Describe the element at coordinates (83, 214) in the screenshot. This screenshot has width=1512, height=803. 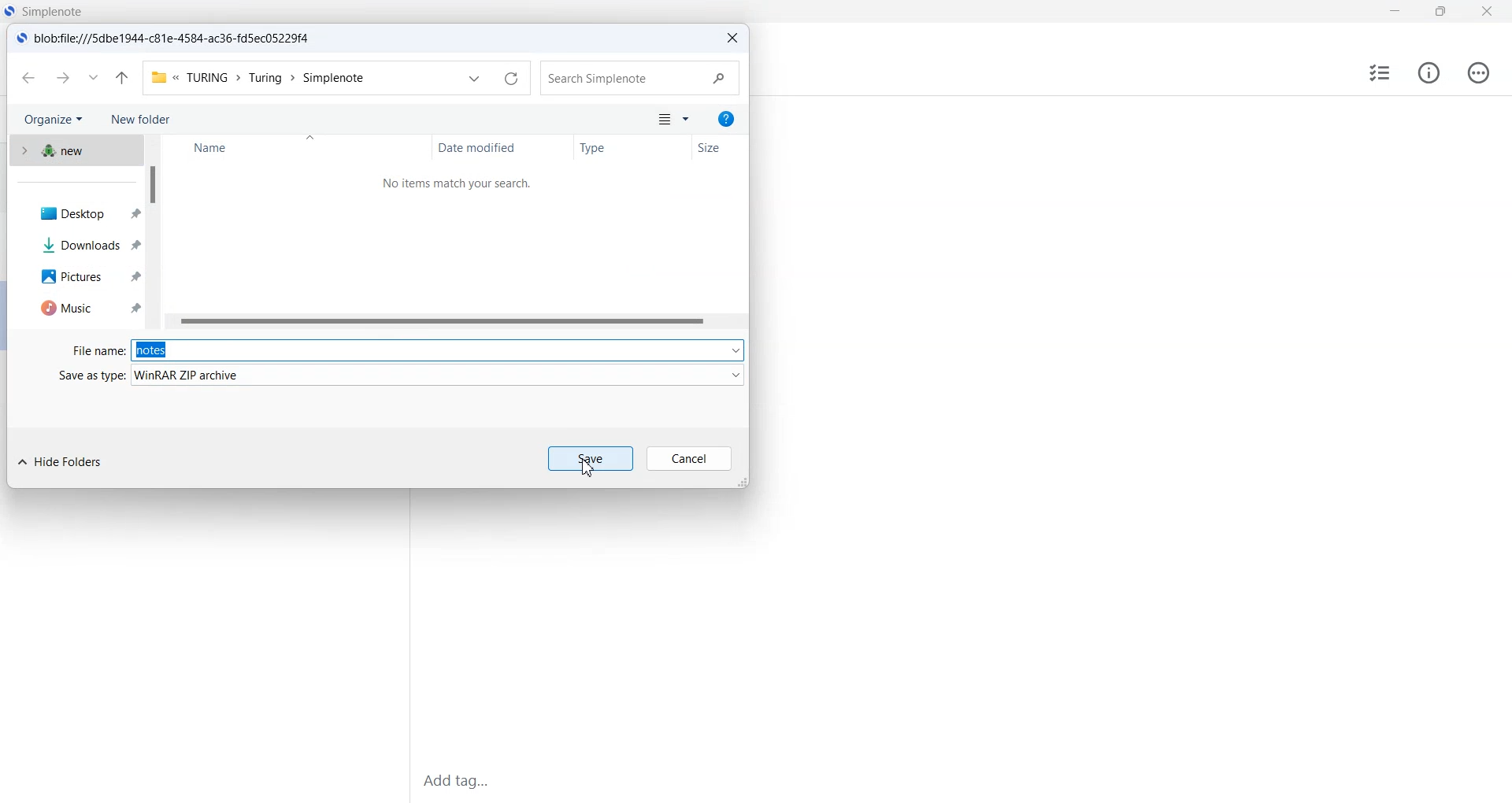
I see `Desktop` at that location.